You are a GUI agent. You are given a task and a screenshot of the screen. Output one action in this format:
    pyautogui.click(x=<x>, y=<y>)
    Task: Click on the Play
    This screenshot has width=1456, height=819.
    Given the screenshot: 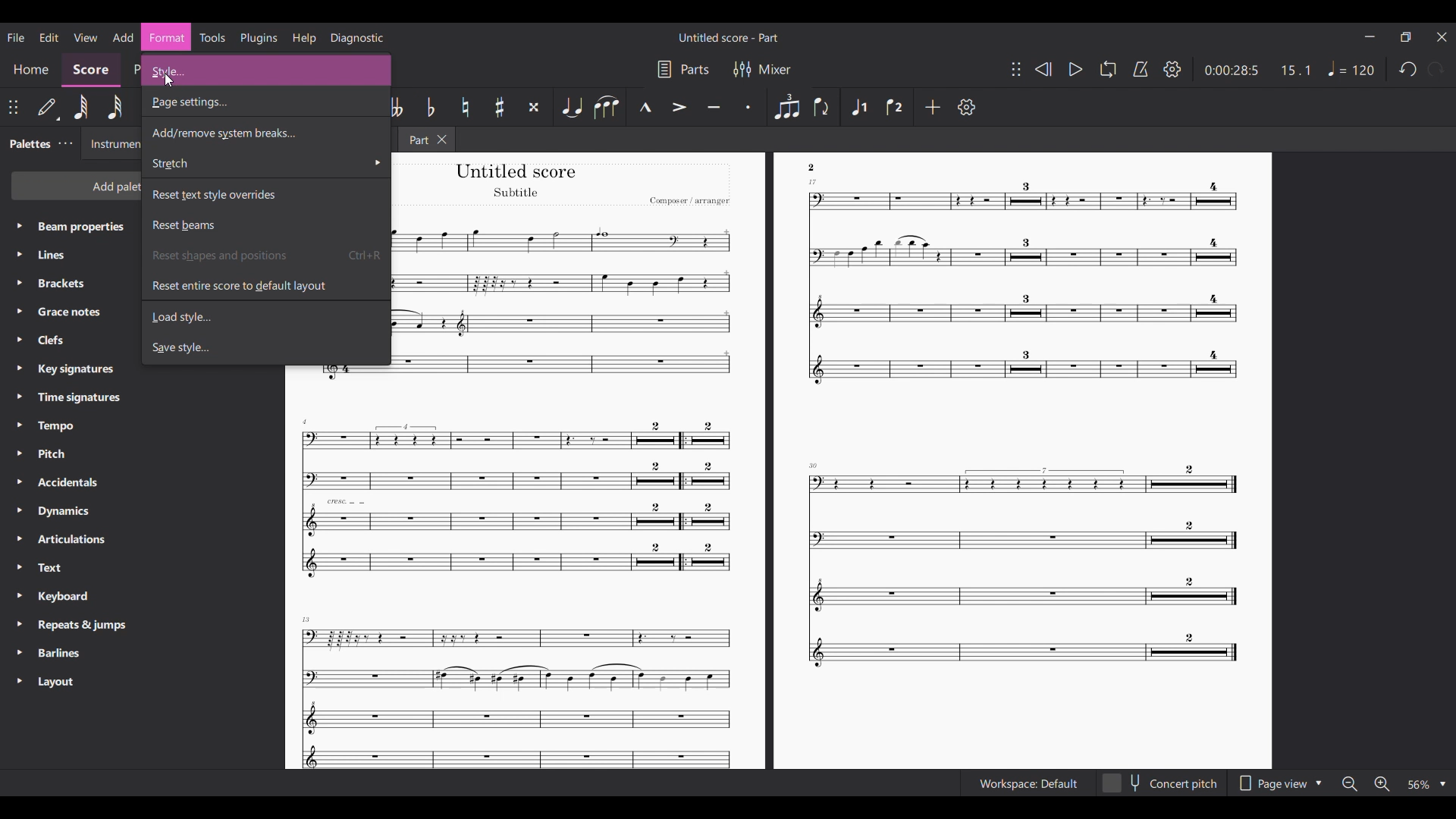 What is the action you would take?
    pyautogui.click(x=1076, y=70)
    